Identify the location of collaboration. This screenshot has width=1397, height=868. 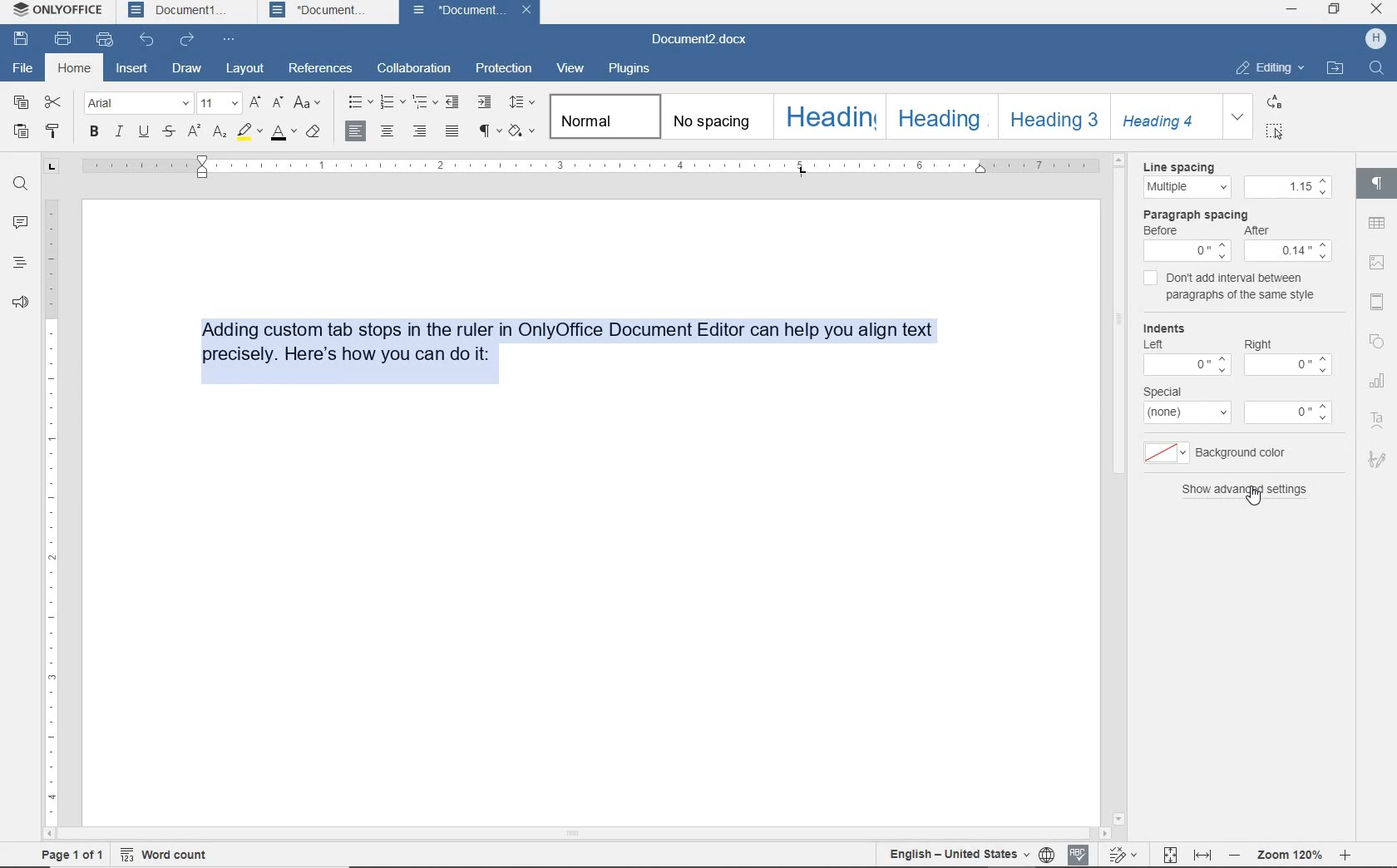
(412, 69).